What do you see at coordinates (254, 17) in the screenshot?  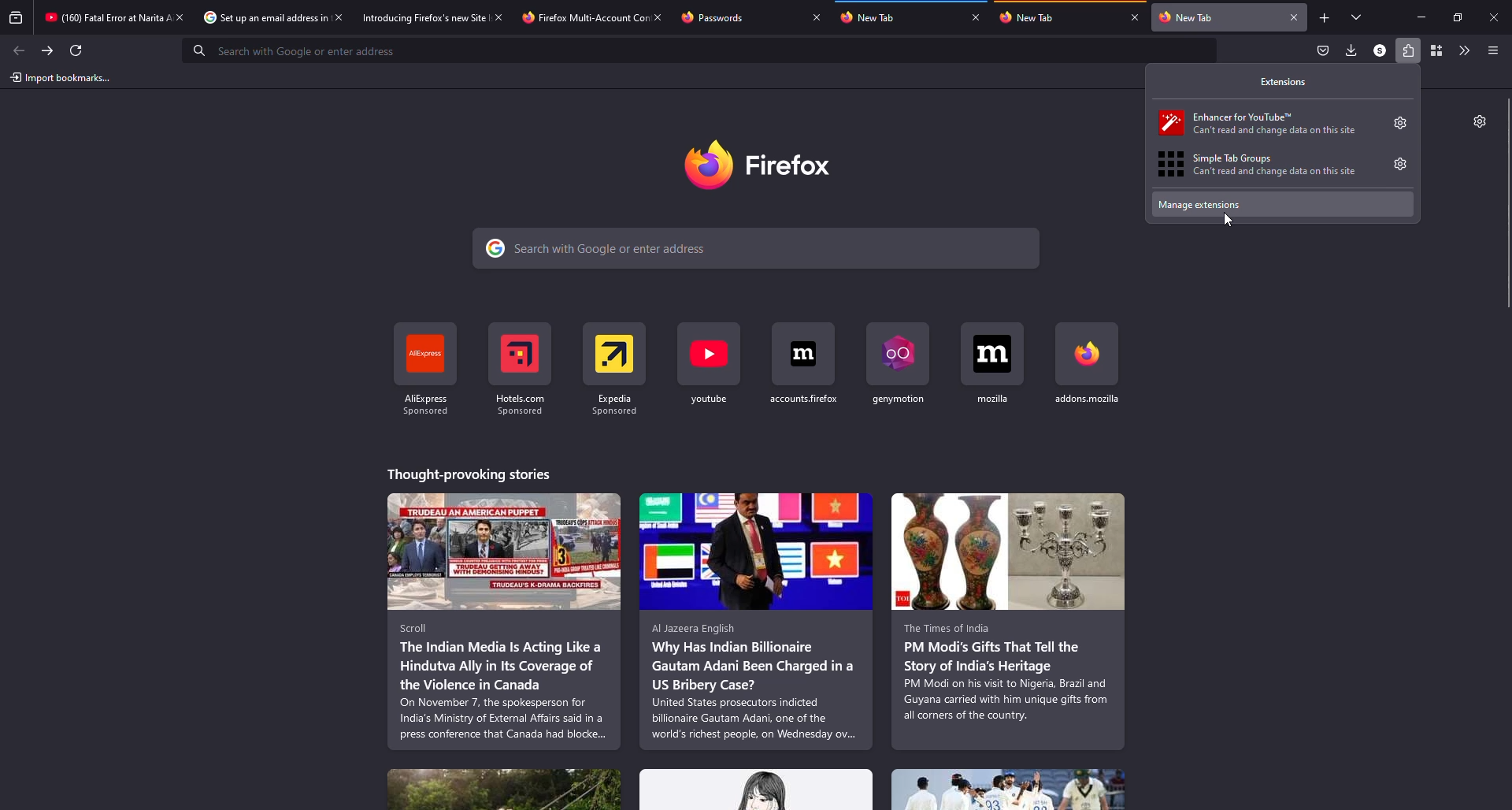 I see `tab` at bounding box center [254, 17].